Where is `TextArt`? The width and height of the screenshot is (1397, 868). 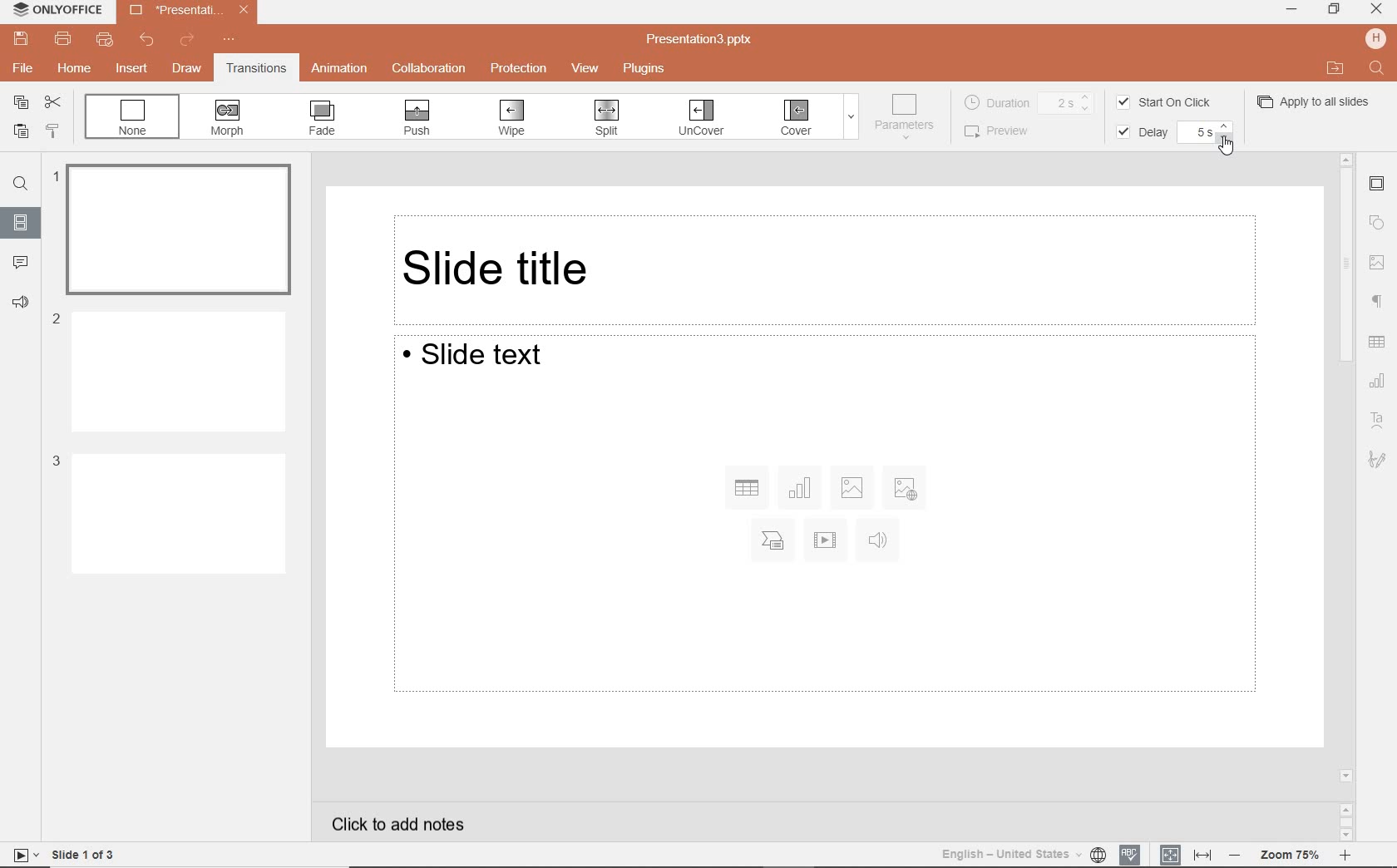 TextArt is located at coordinates (1378, 421).